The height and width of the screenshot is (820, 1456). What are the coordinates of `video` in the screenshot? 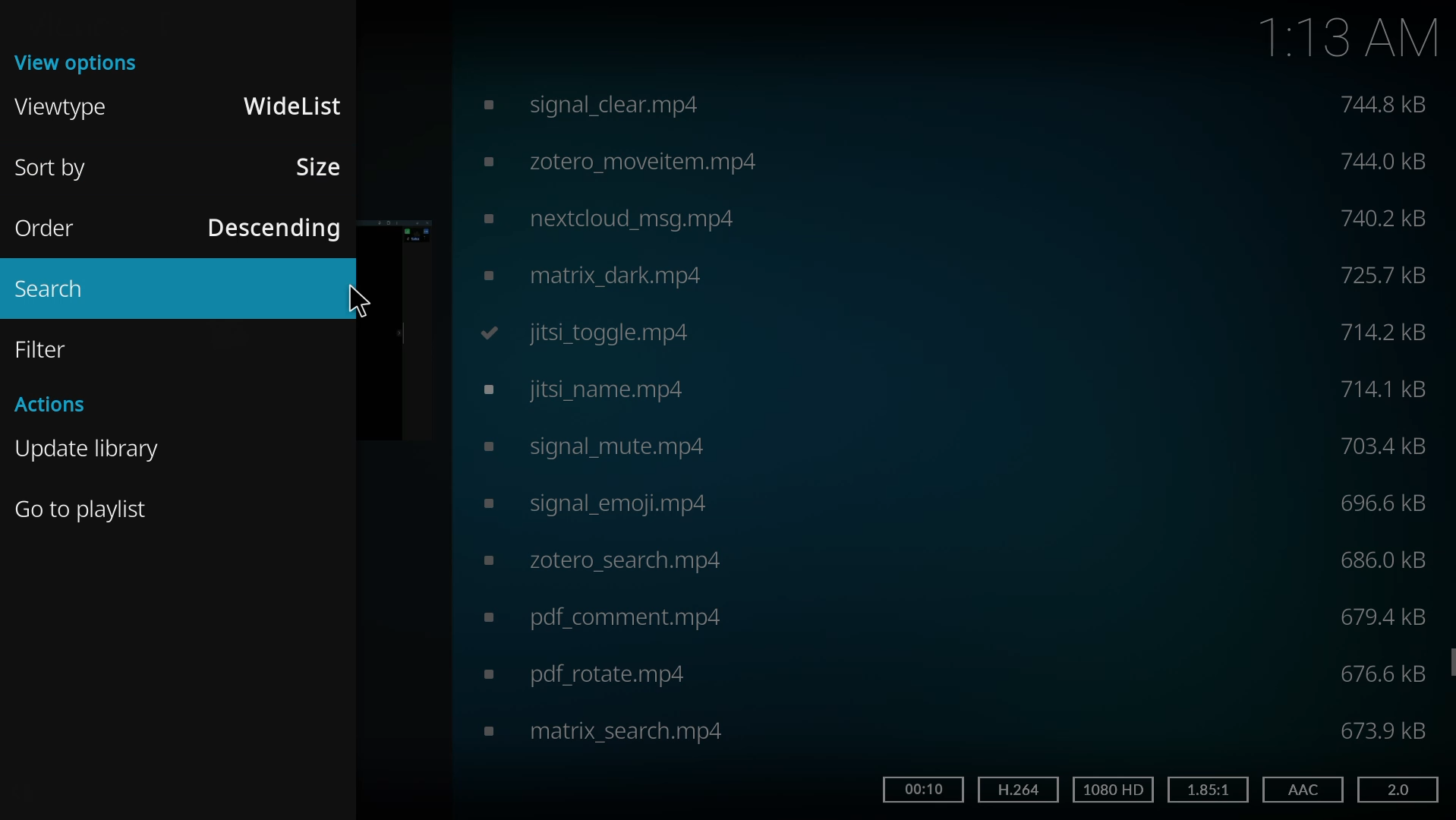 It's located at (614, 159).